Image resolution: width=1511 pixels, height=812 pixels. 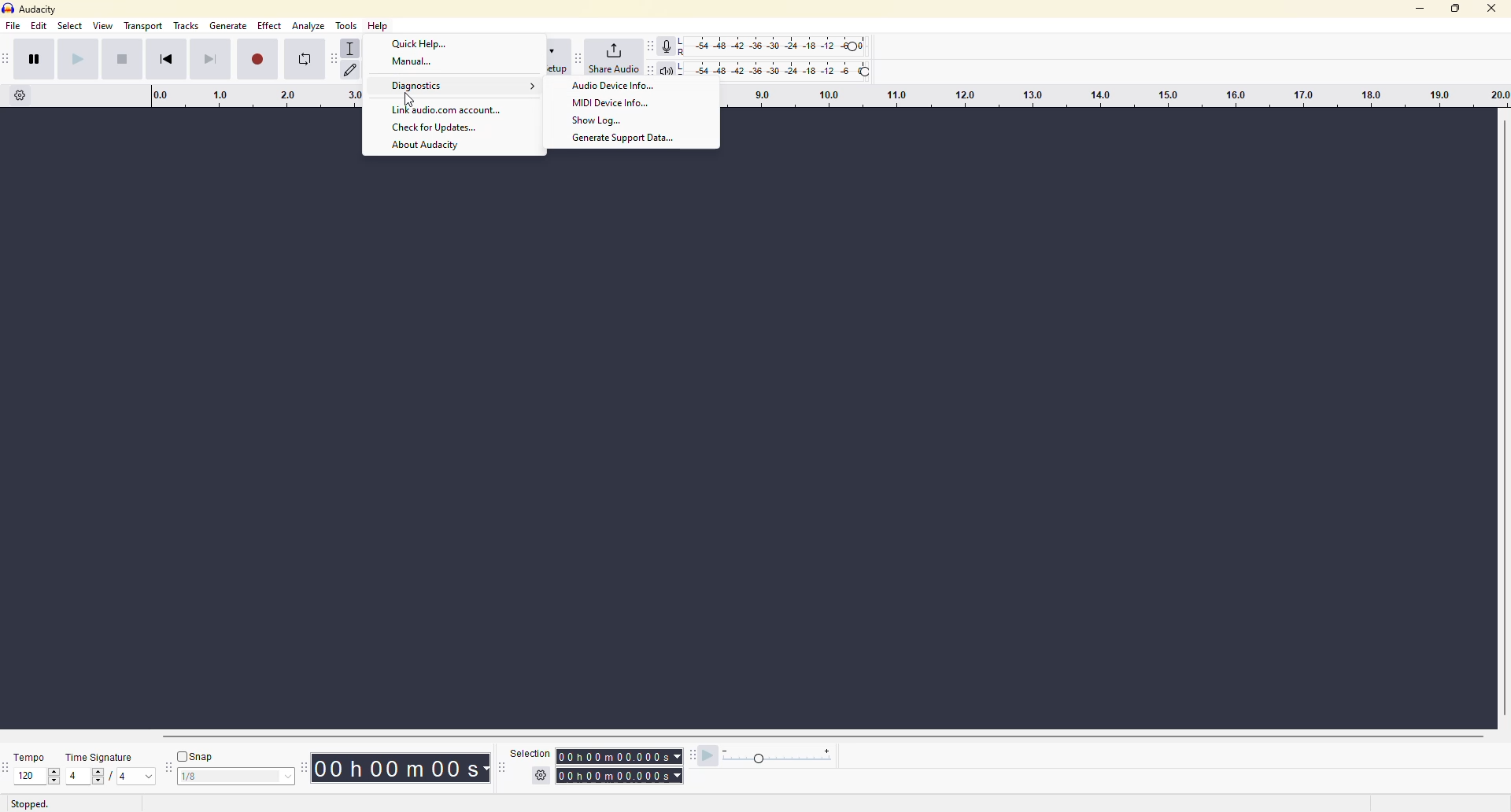 I want to click on recording level, so click(x=782, y=44).